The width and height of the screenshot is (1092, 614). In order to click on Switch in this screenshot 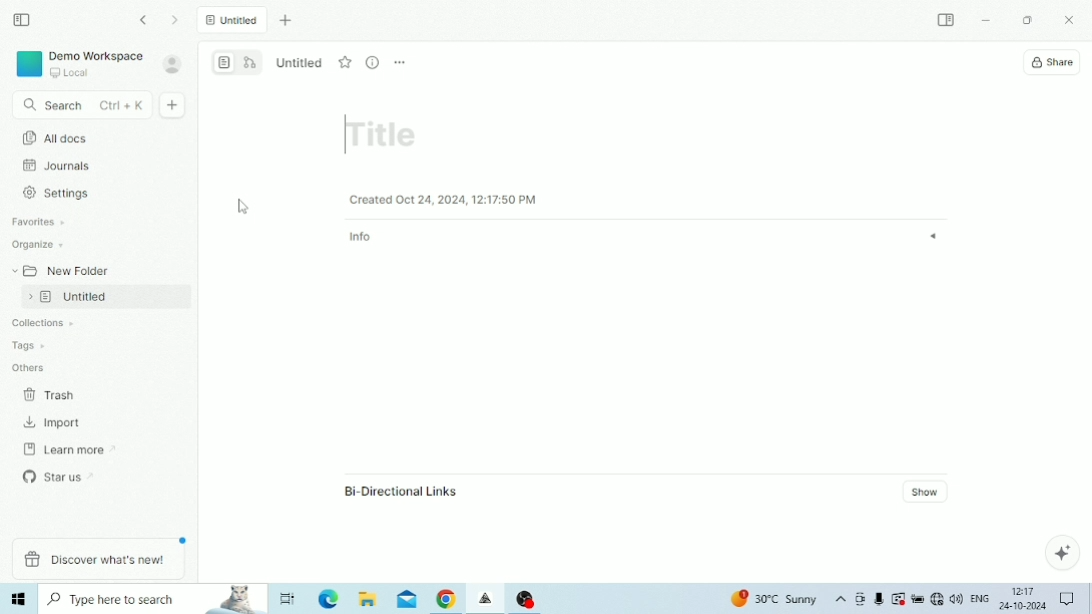, I will do `click(238, 61)`.